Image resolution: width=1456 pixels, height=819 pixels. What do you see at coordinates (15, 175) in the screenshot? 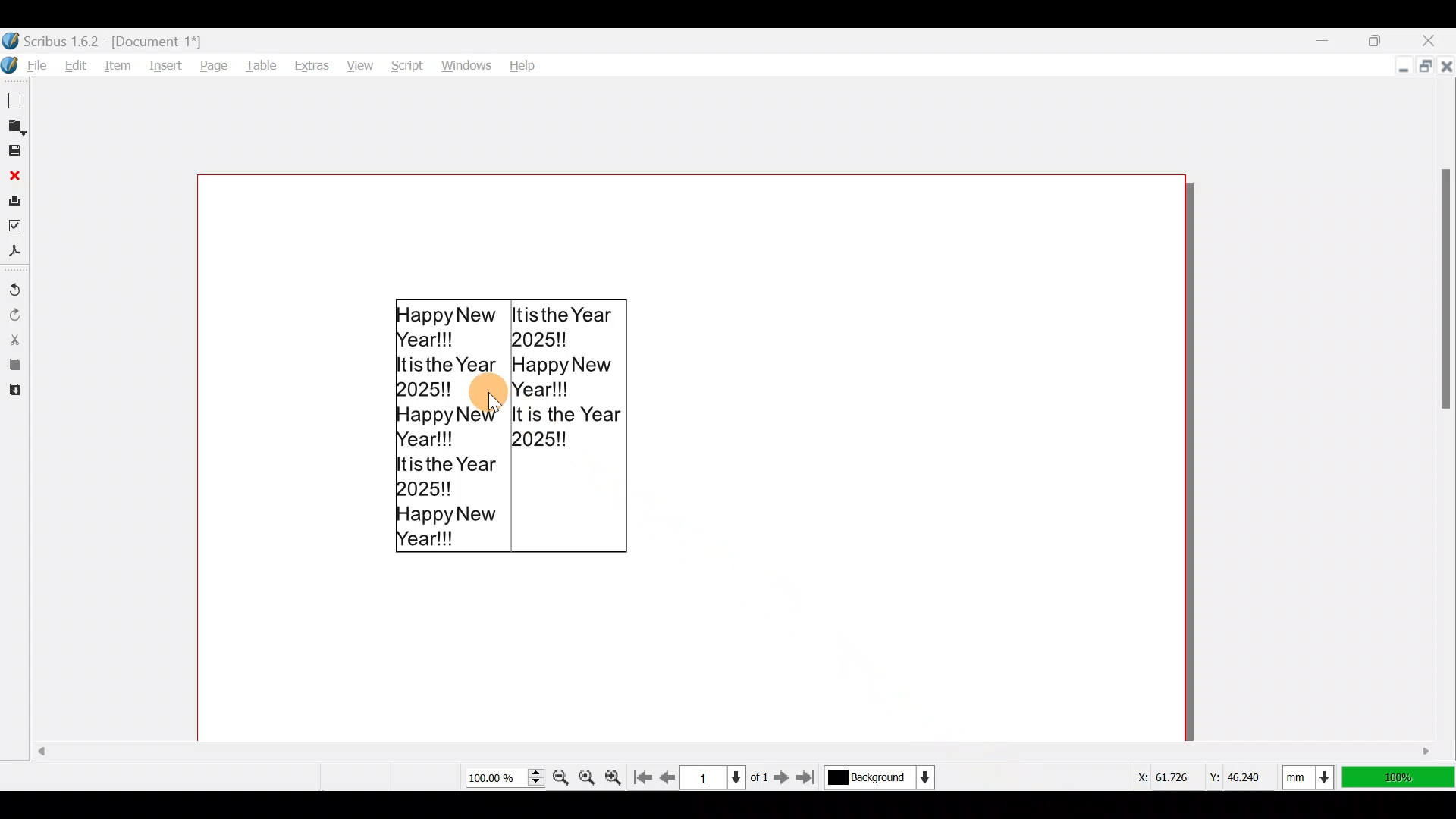
I see `Close` at bounding box center [15, 175].